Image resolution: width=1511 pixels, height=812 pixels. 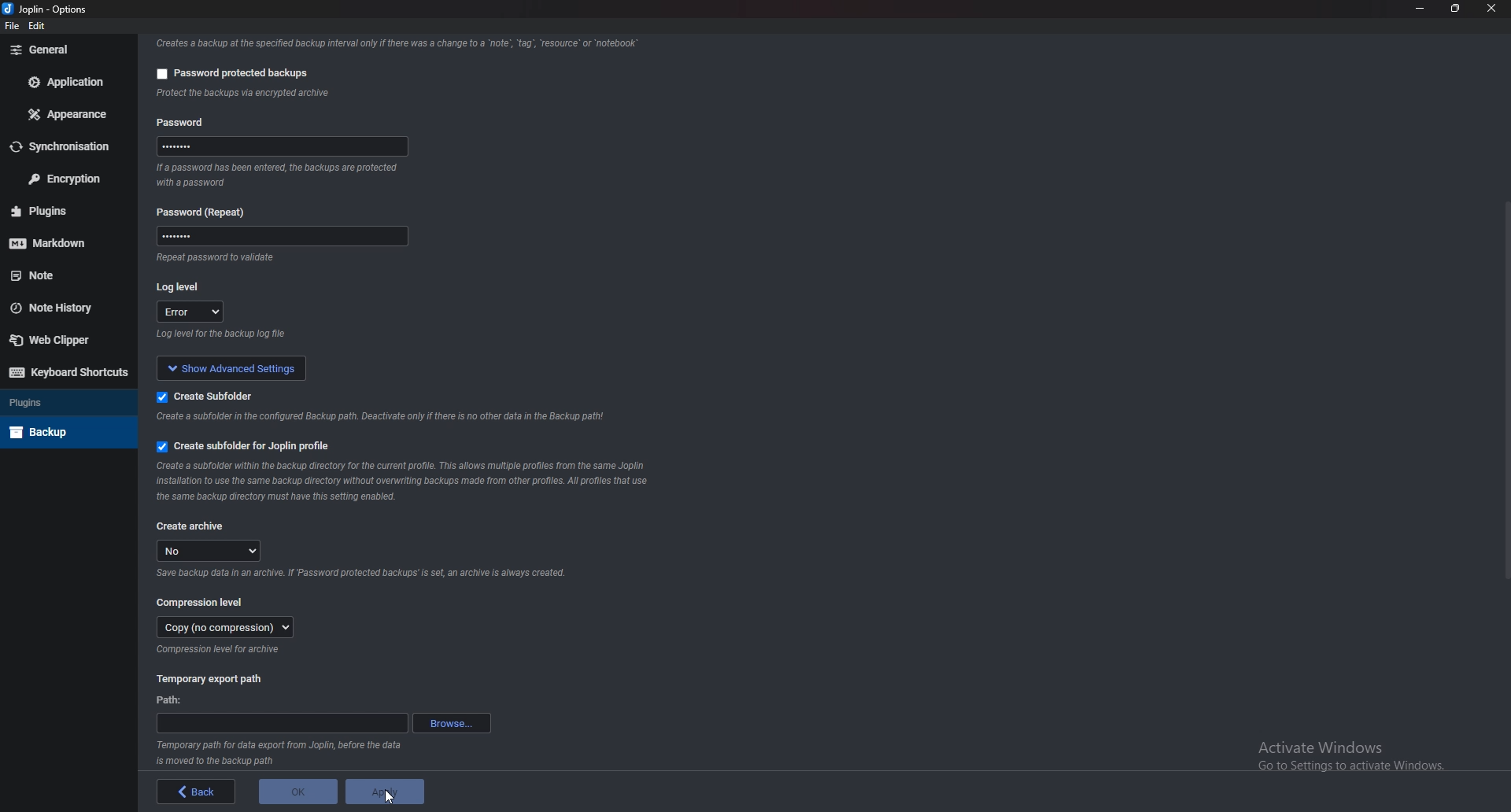 I want to click on Back up, so click(x=65, y=430).